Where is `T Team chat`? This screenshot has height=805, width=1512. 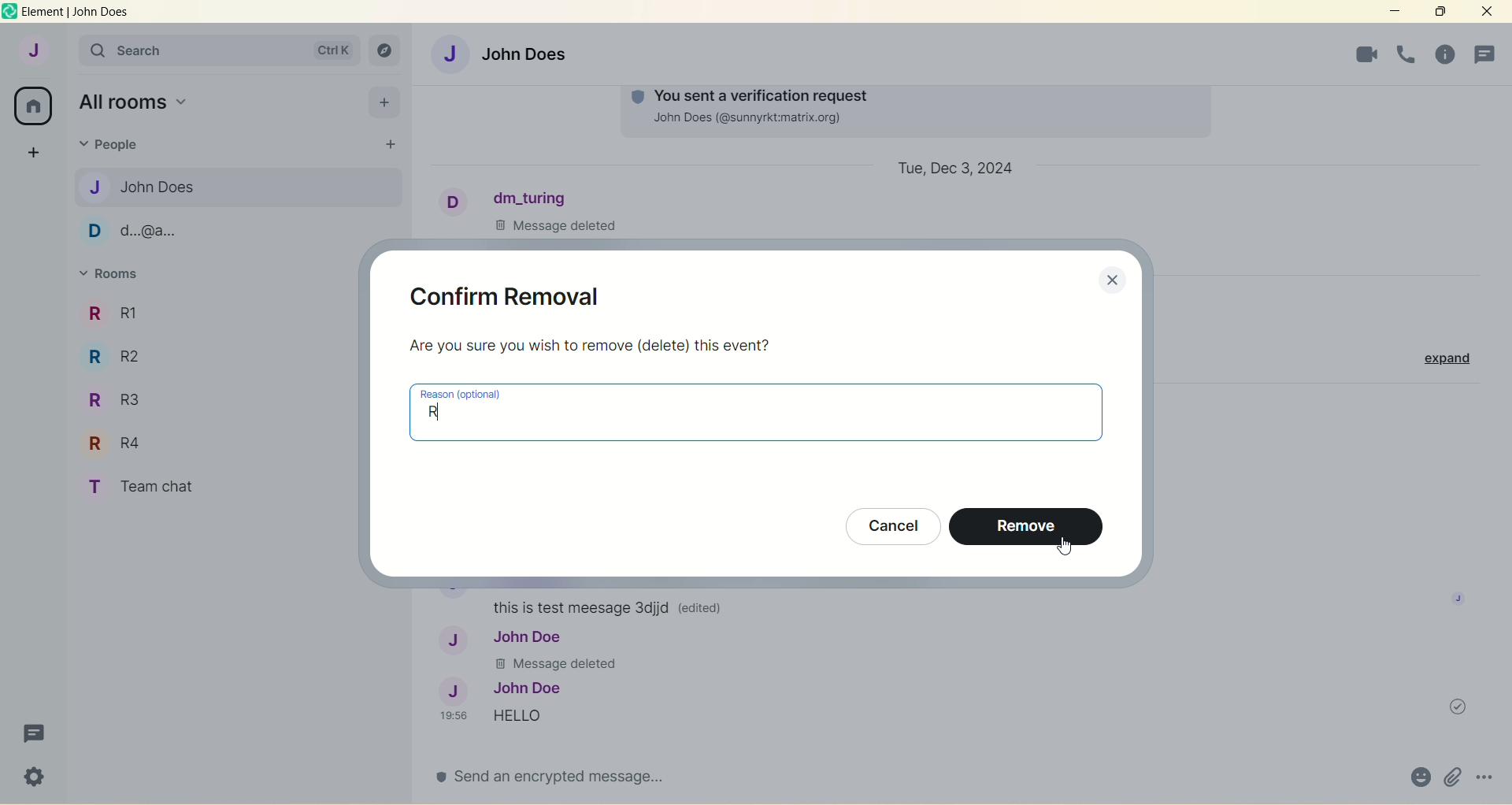 T Team chat is located at coordinates (155, 484).